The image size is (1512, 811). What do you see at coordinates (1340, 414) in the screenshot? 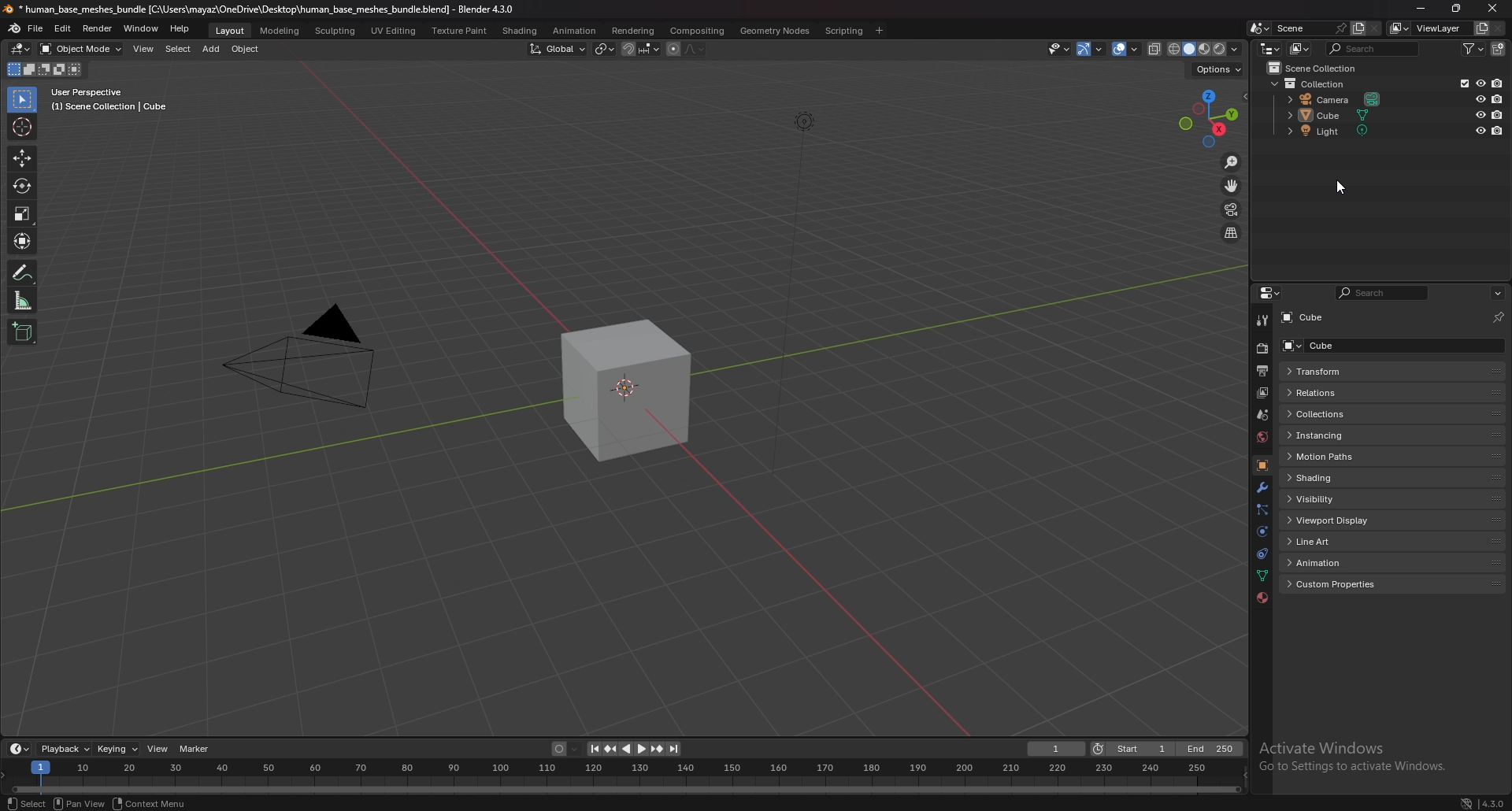
I see `collections` at bounding box center [1340, 414].